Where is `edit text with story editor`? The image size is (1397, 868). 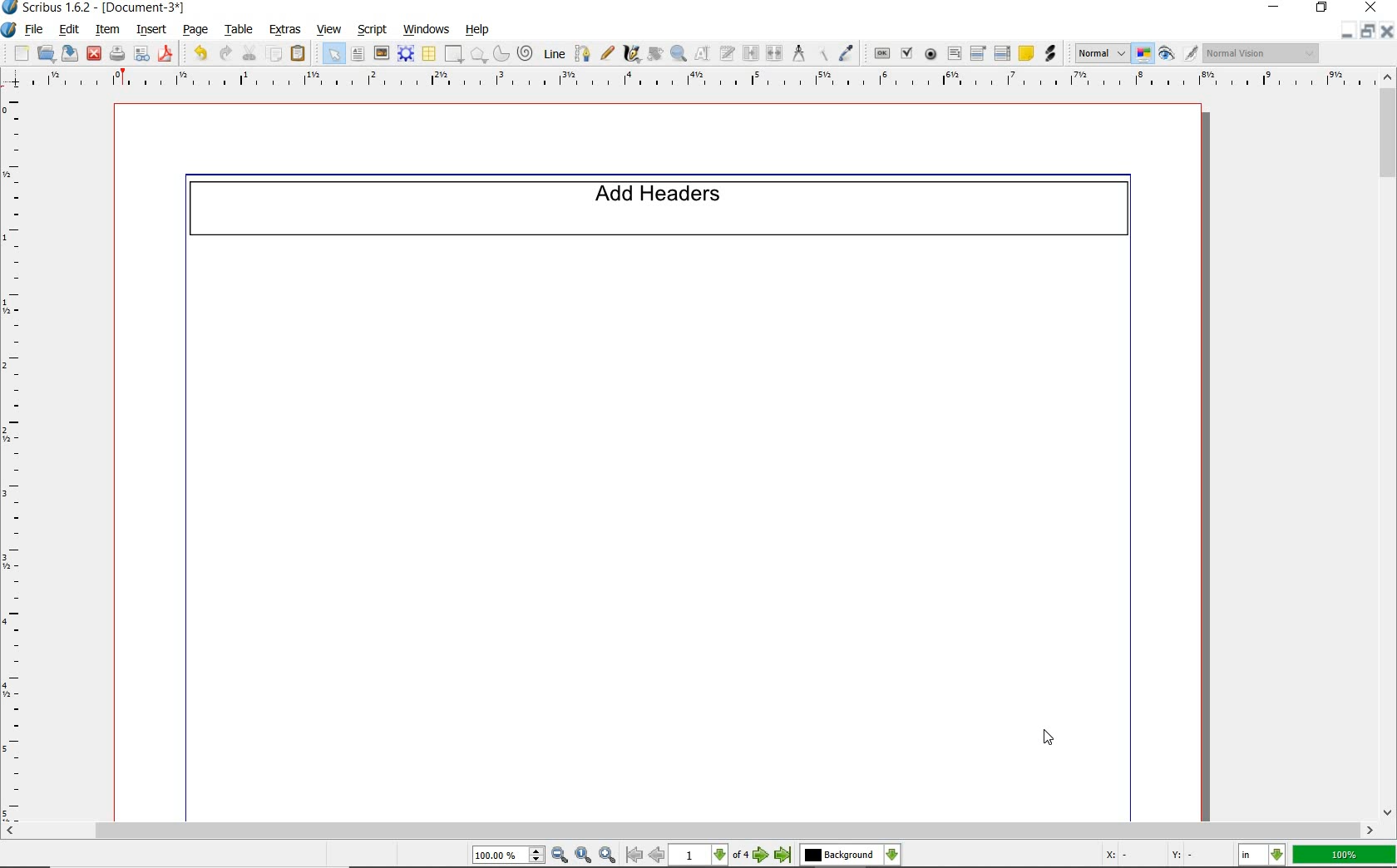
edit text with story editor is located at coordinates (726, 52).